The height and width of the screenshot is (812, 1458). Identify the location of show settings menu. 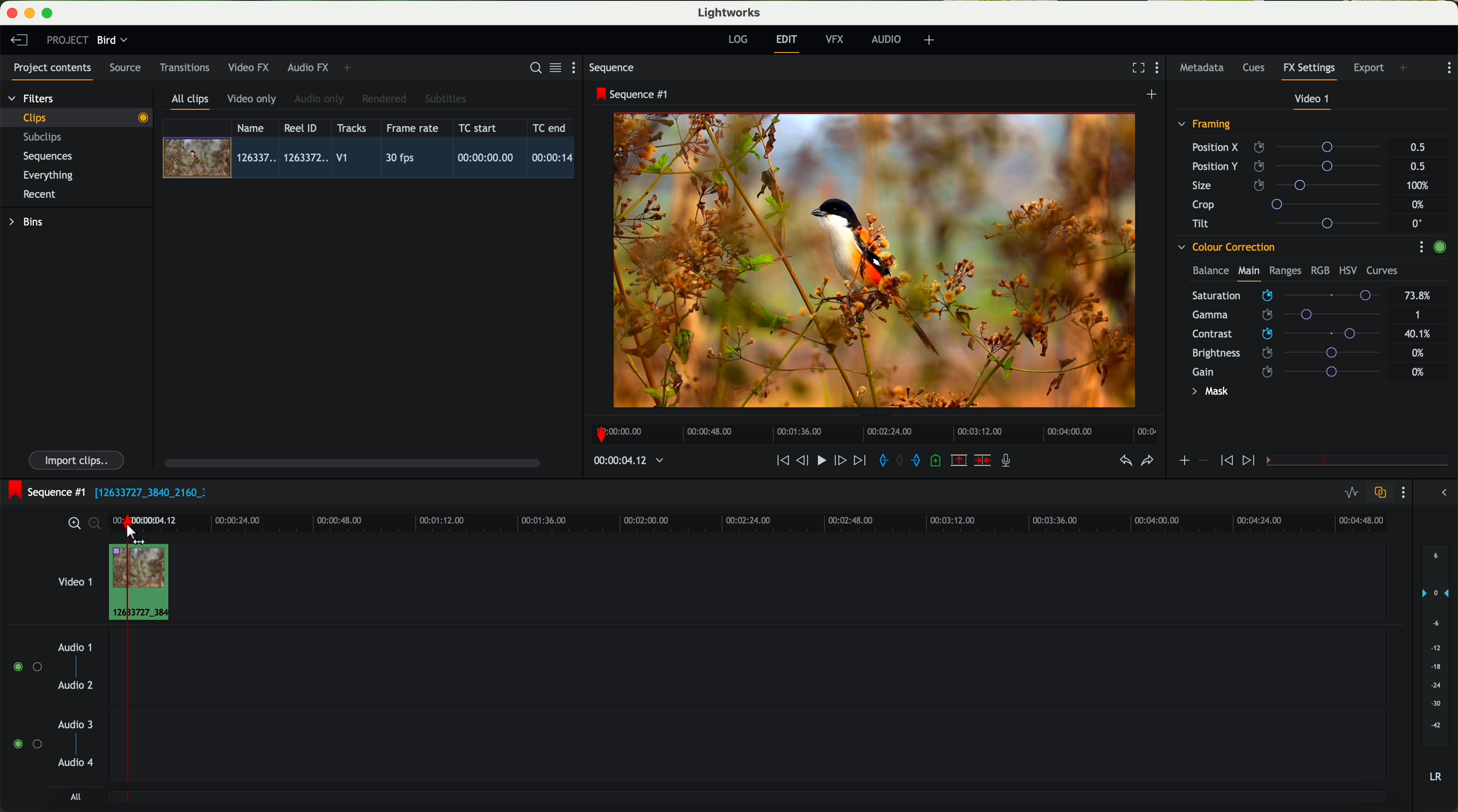
(1448, 68).